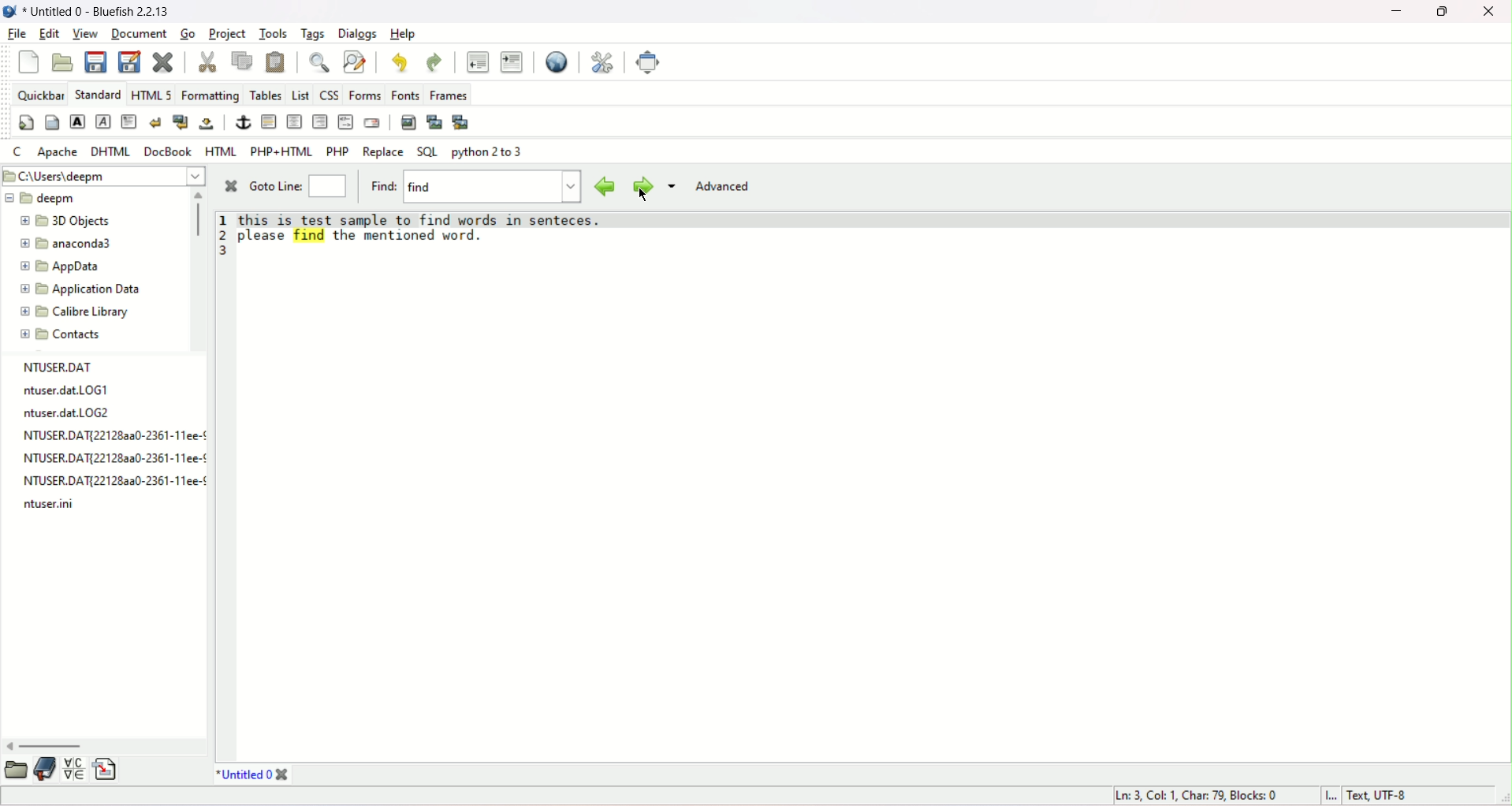 This screenshot has width=1512, height=806. Describe the element at coordinates (240, 774) in the screenshot. I see `current tab` at that location.